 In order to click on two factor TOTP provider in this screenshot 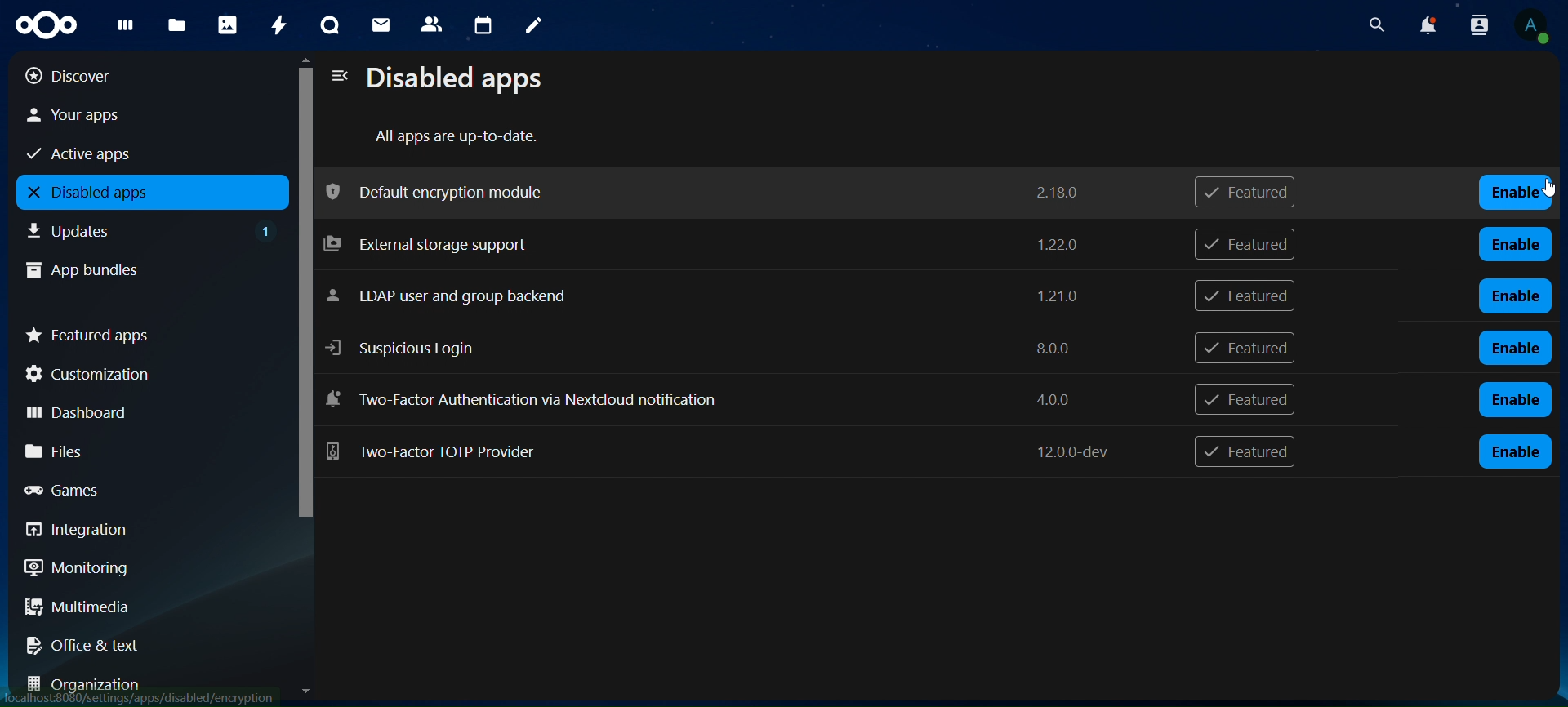, I will do `click(721, 449)`.